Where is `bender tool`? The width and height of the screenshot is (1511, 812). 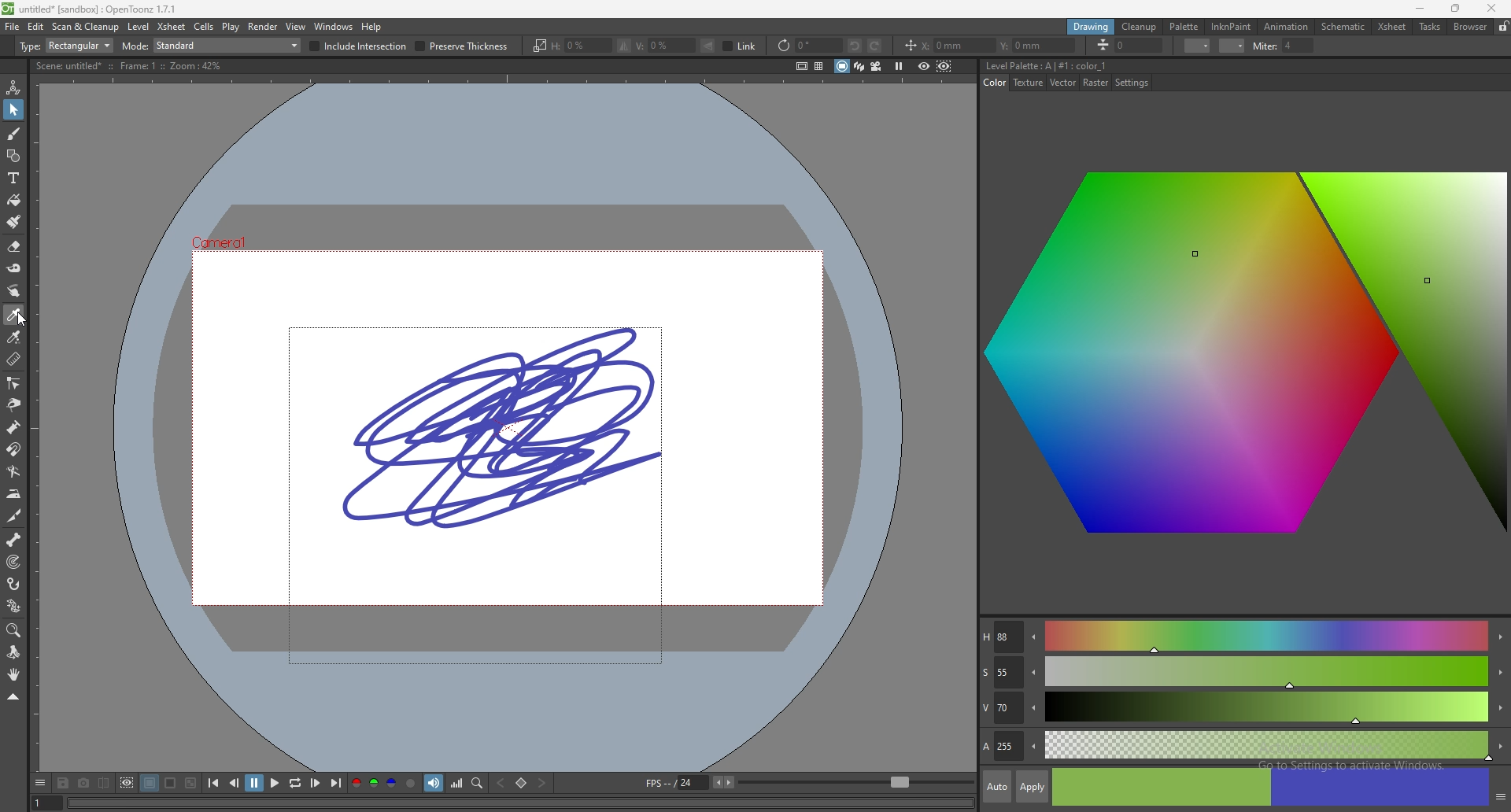 bender tool is located at coordinates (13, 471).